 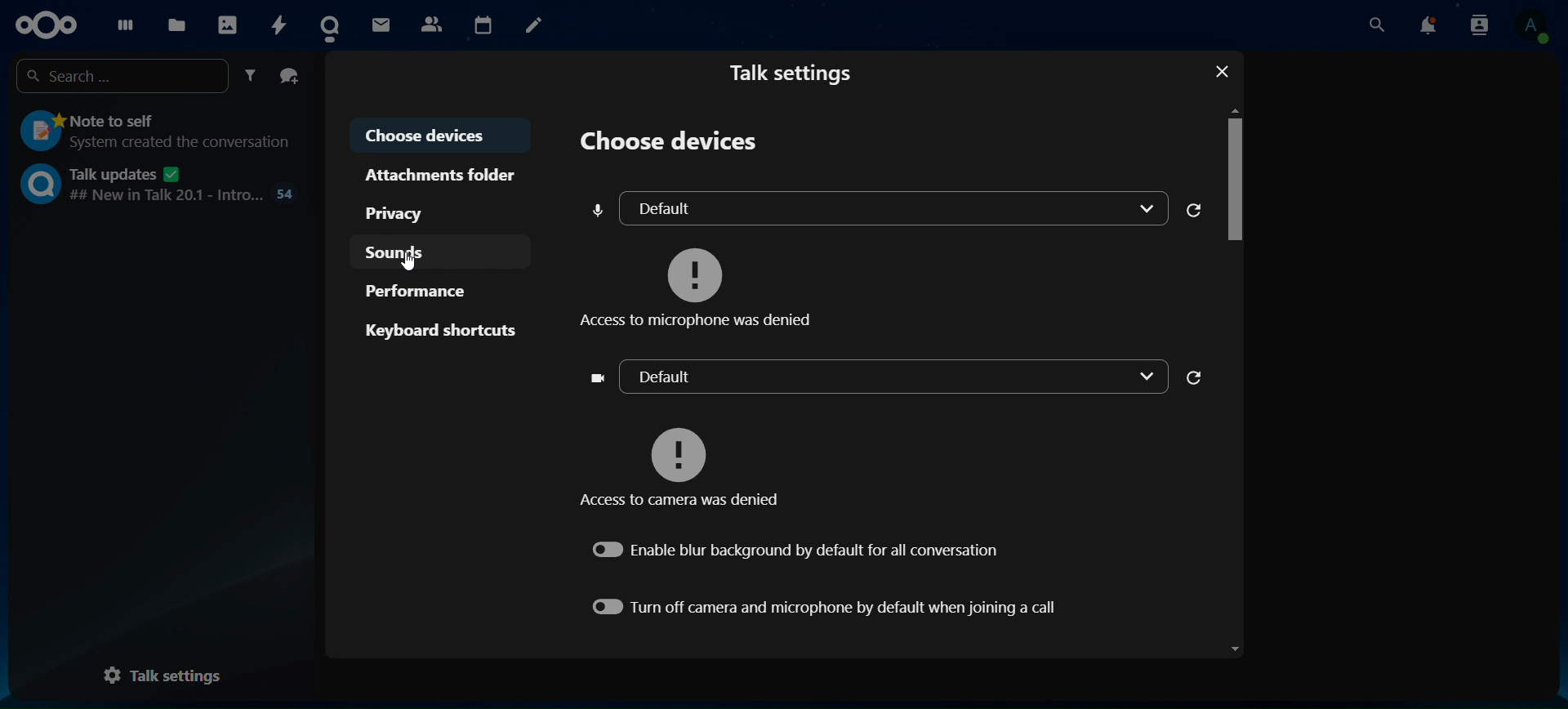 What do you see at coordinates (1530, 28) in the screenshot?
I see `view profile` at bounding box center [1530, 28].